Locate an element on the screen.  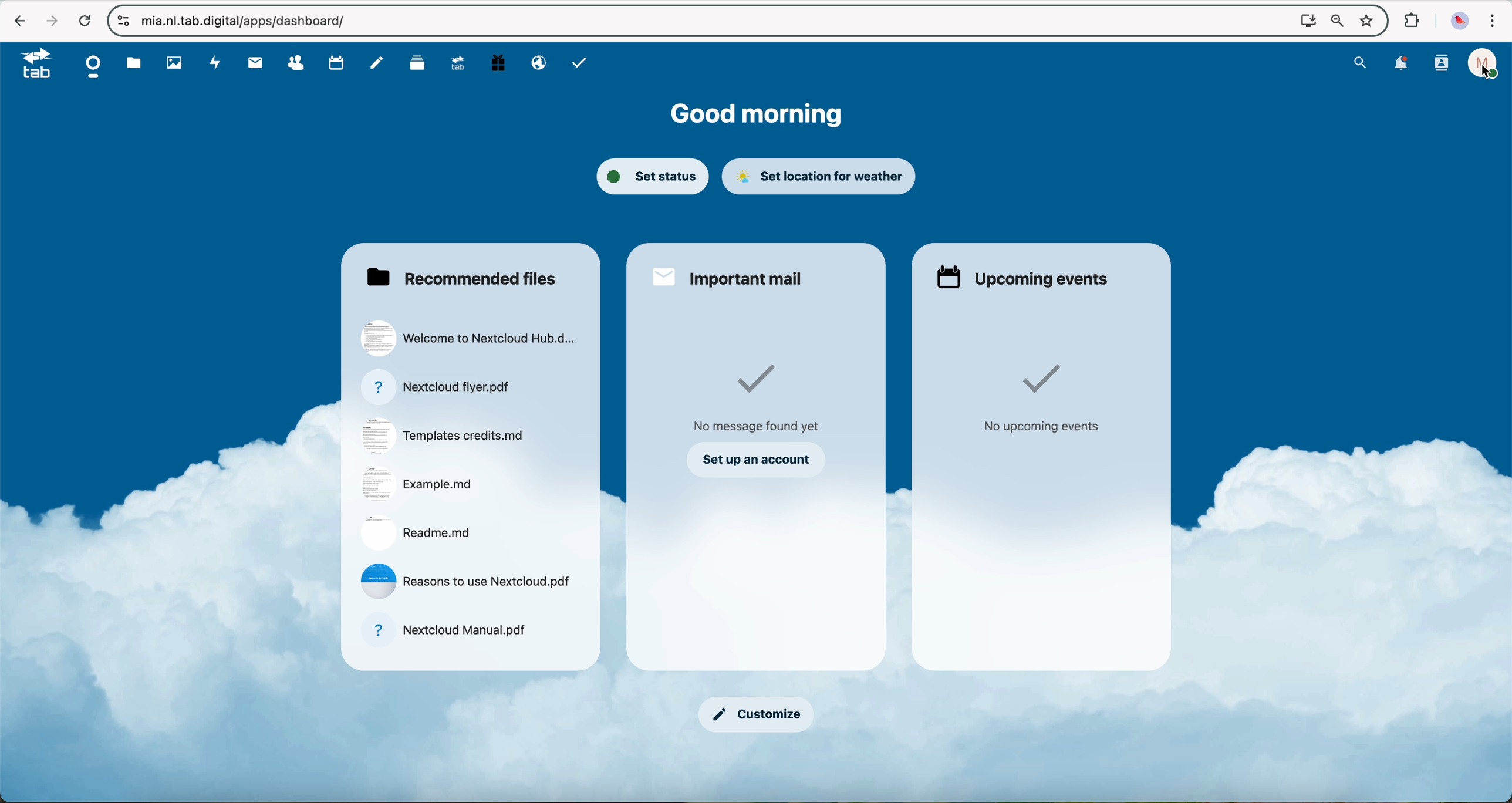
file is located at coordinates (416, 533).